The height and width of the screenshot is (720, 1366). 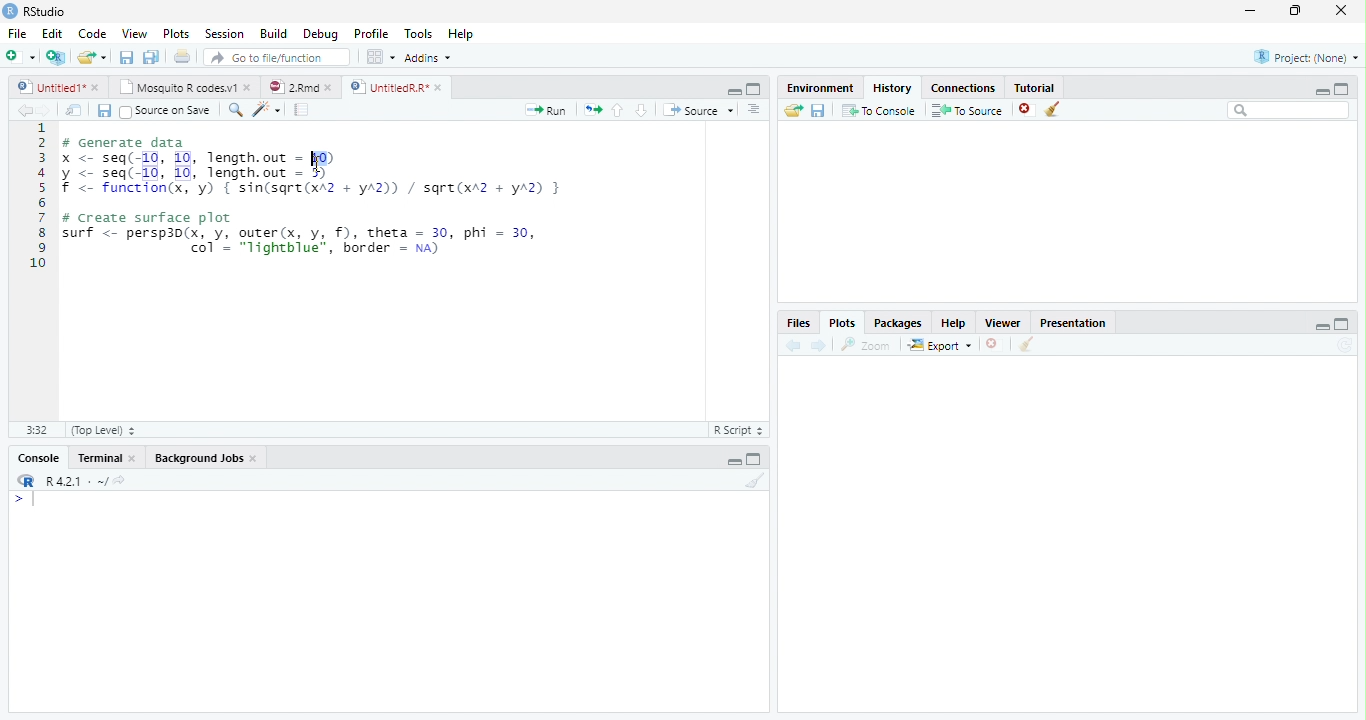 I want to click on New file, so click(x=19, y=57).